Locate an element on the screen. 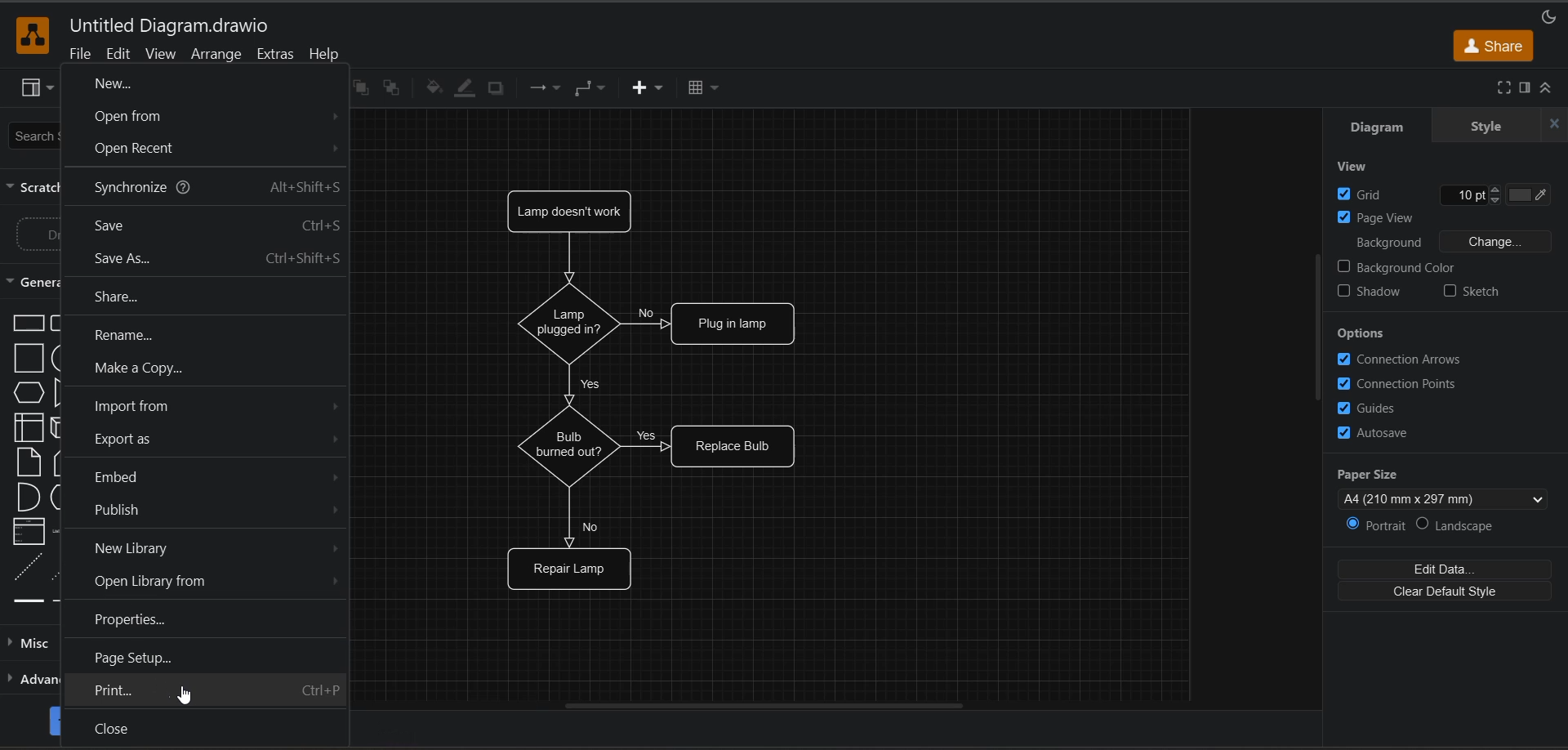  save is located at coordinates (211, 227).